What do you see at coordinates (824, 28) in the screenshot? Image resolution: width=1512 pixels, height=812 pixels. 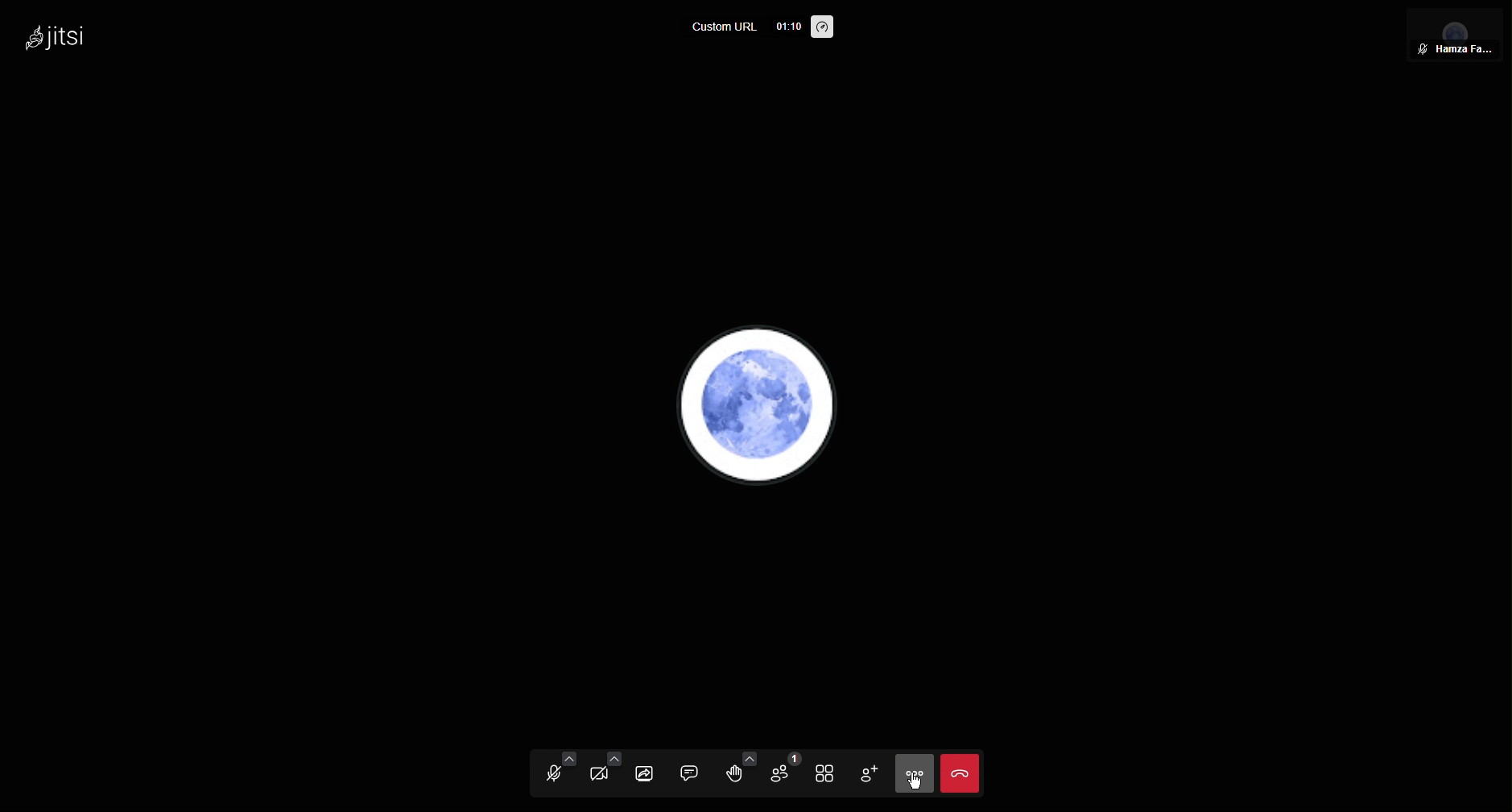 I see `Performance` at bounding box center [824, 28].